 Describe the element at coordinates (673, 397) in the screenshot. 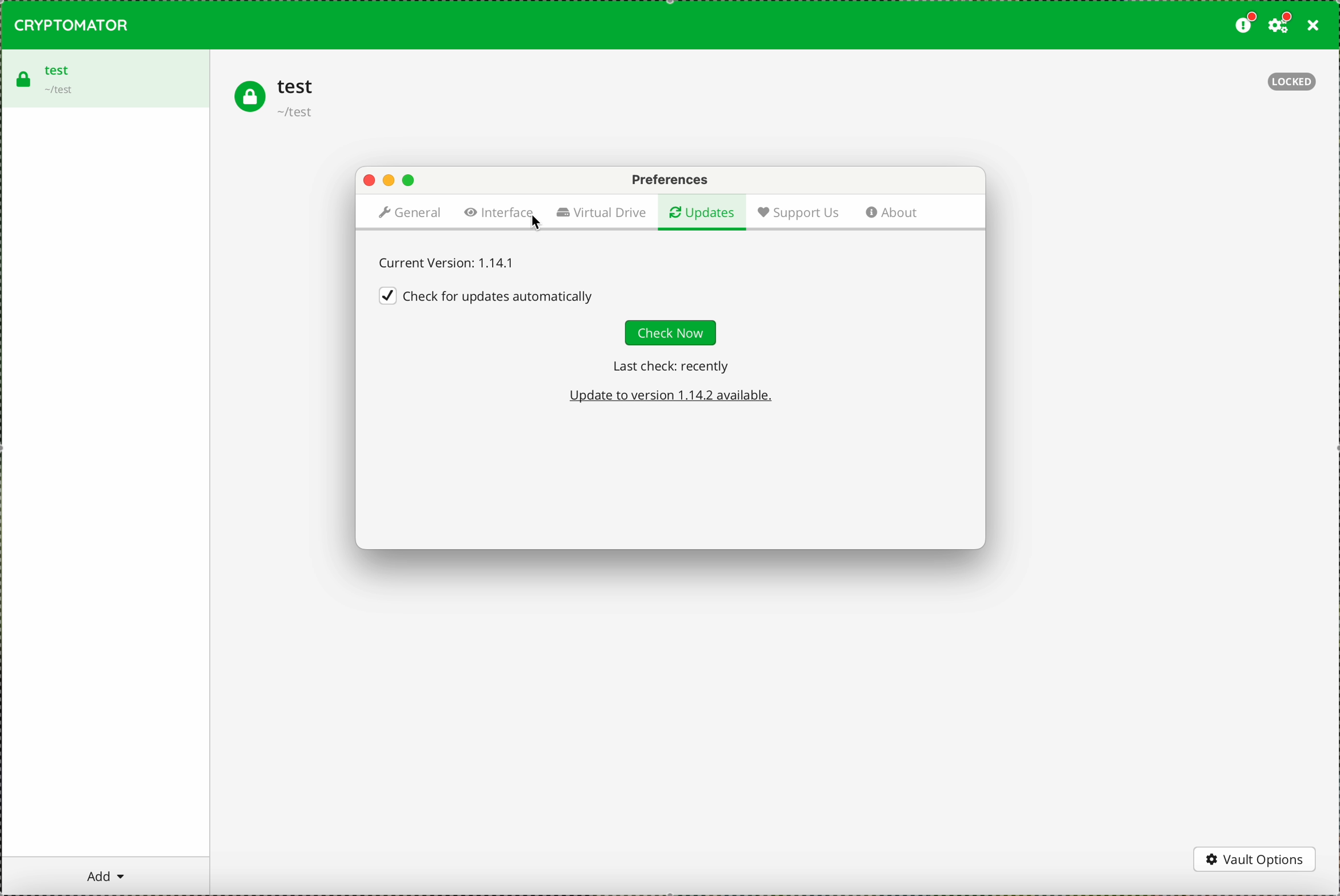

I see `update to version 1.14.2` at that location.